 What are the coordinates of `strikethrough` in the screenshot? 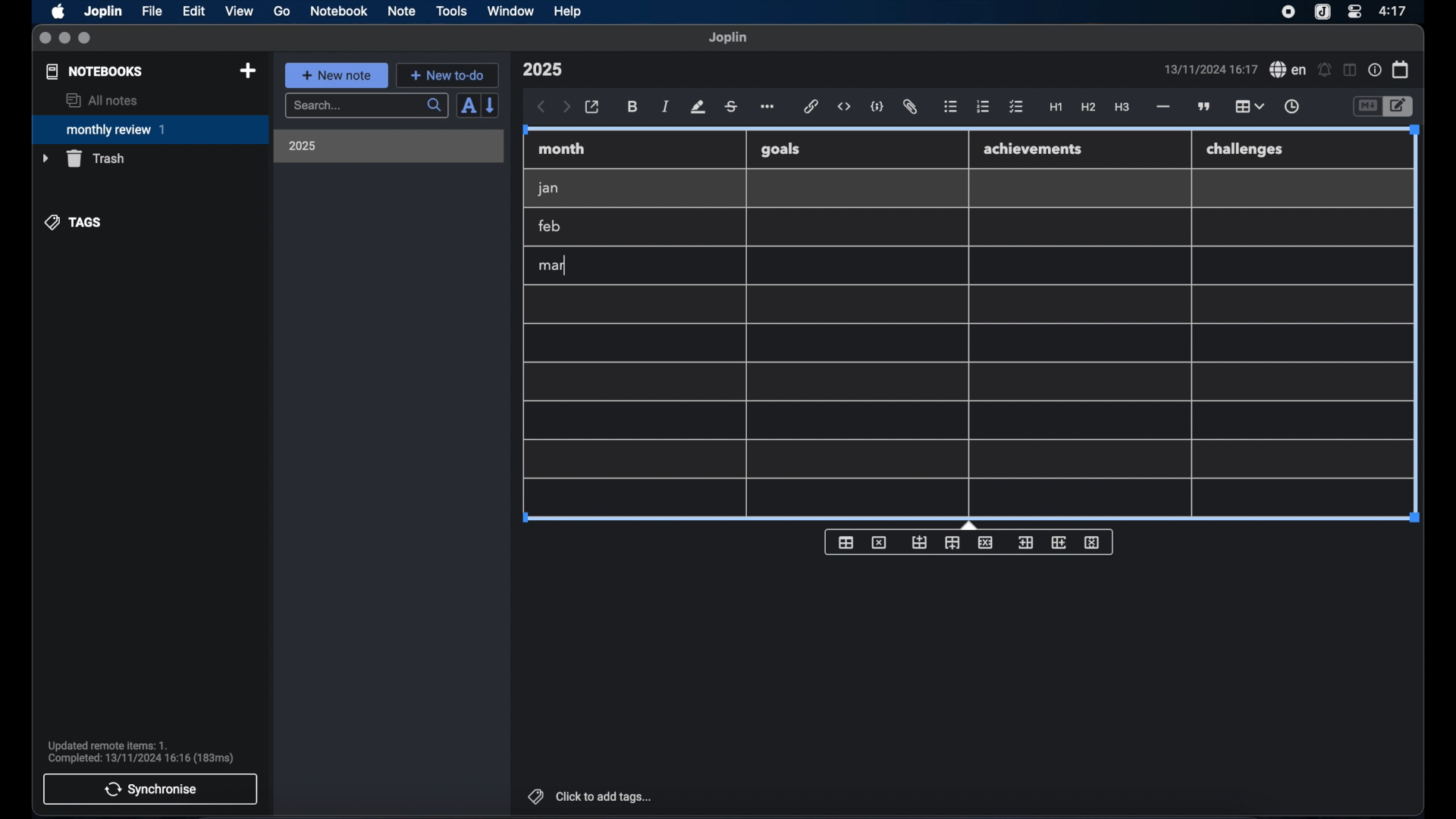 It's located at (730, 107).